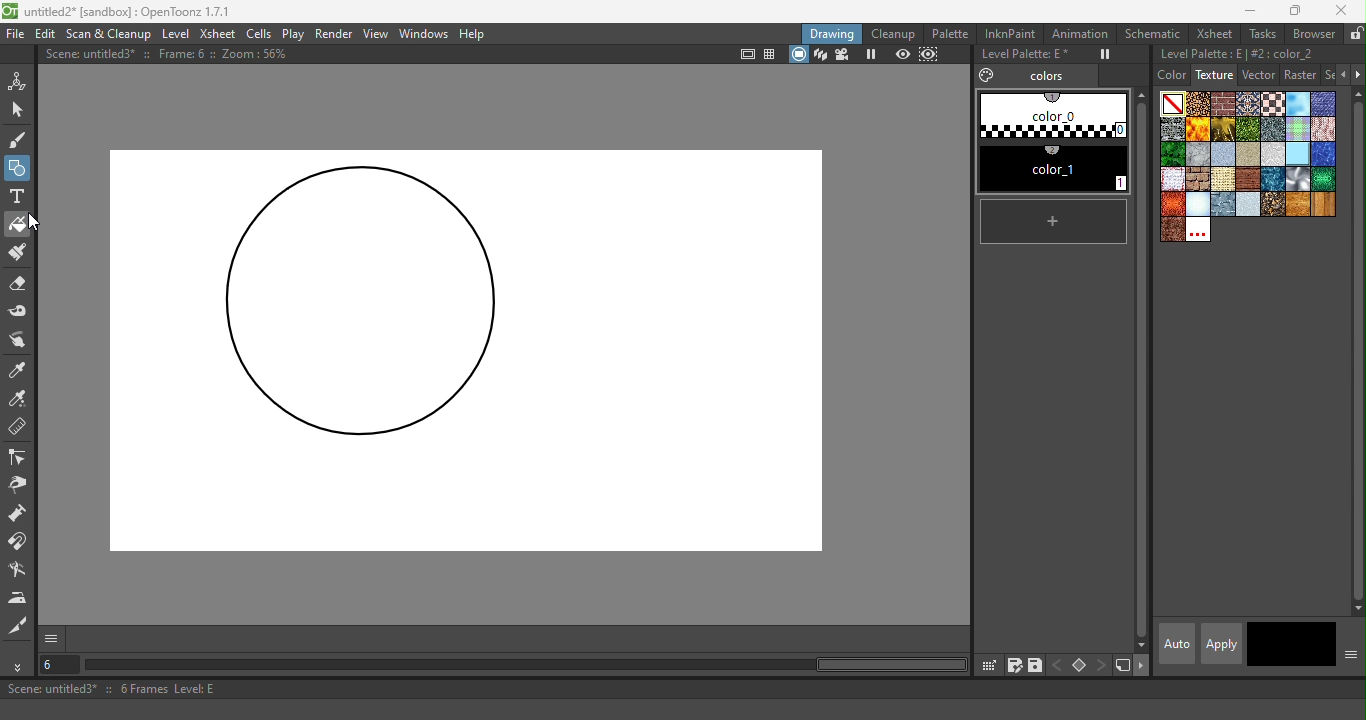  What do you see at coordinates (46, 34) in the screenshot?
I see `Edit` at bounding box center [46, 34].